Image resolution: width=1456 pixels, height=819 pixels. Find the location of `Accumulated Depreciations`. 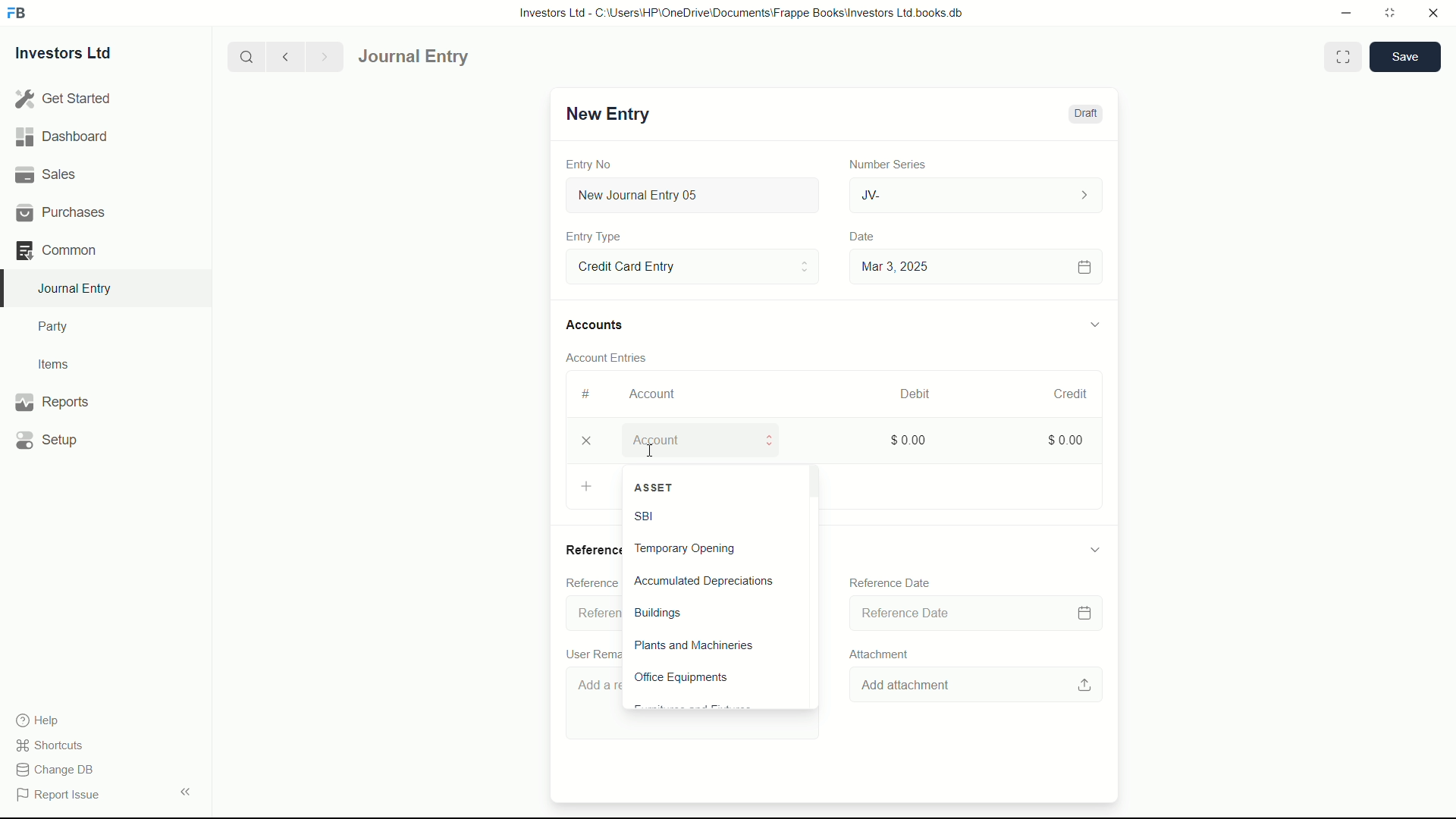

Accumulated Depreciations is located at coordinates (714, 581).